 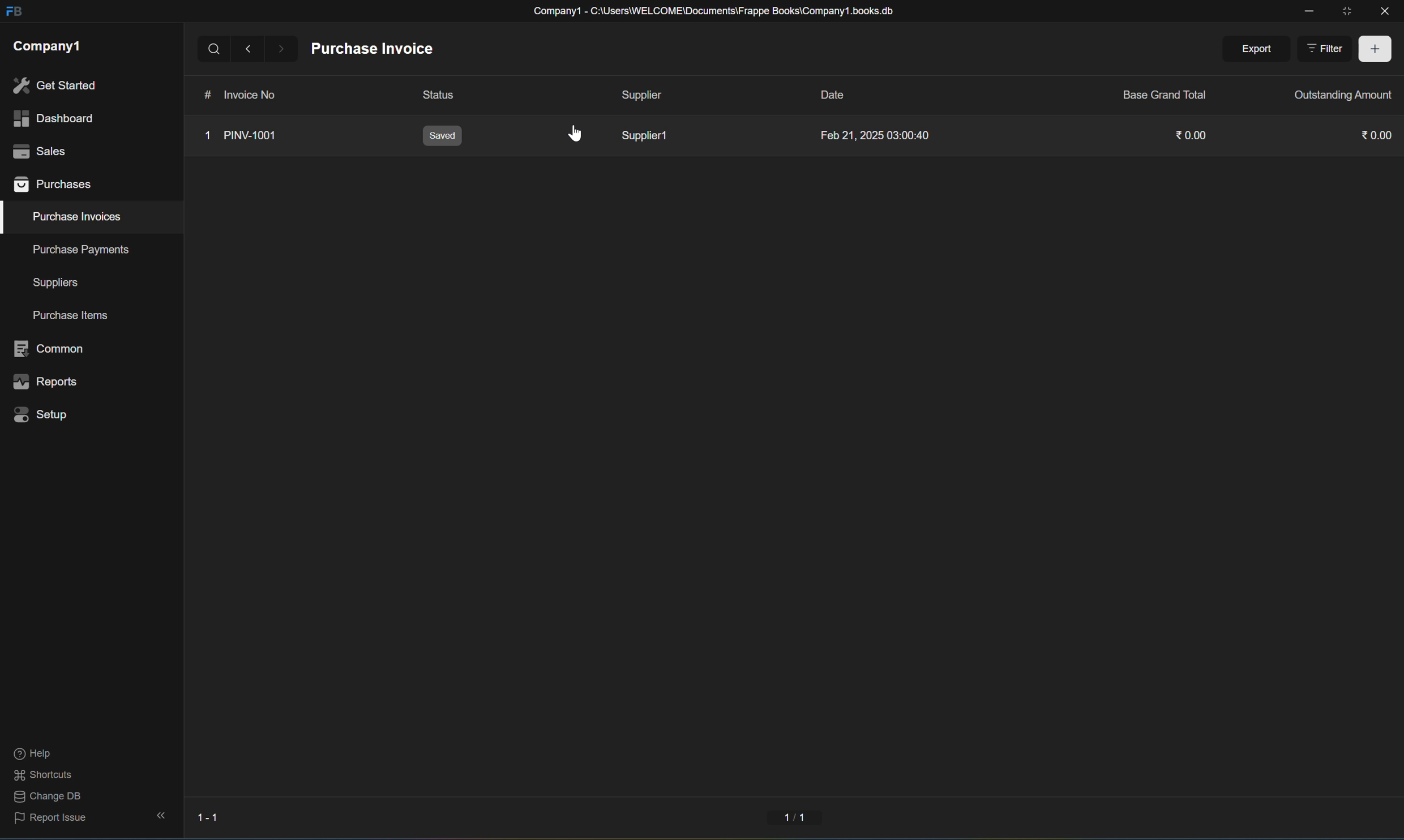 What do you see at coordinates (281, 48) in the screenshot?
I see `next` at bounding box center [281, 48].